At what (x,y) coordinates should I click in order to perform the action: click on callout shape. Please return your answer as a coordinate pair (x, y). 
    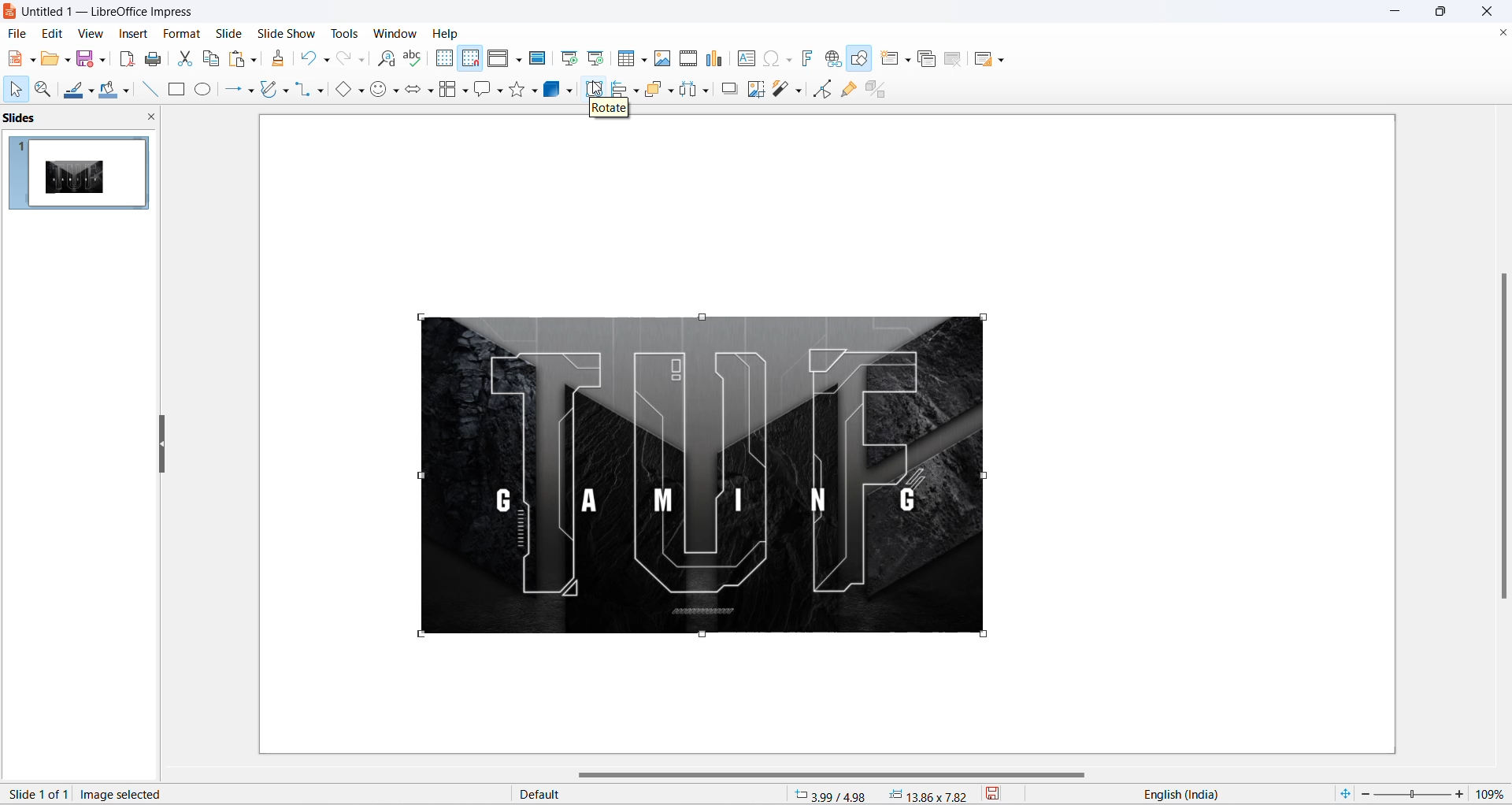
    Looking at the image, I should click on (481, 91).